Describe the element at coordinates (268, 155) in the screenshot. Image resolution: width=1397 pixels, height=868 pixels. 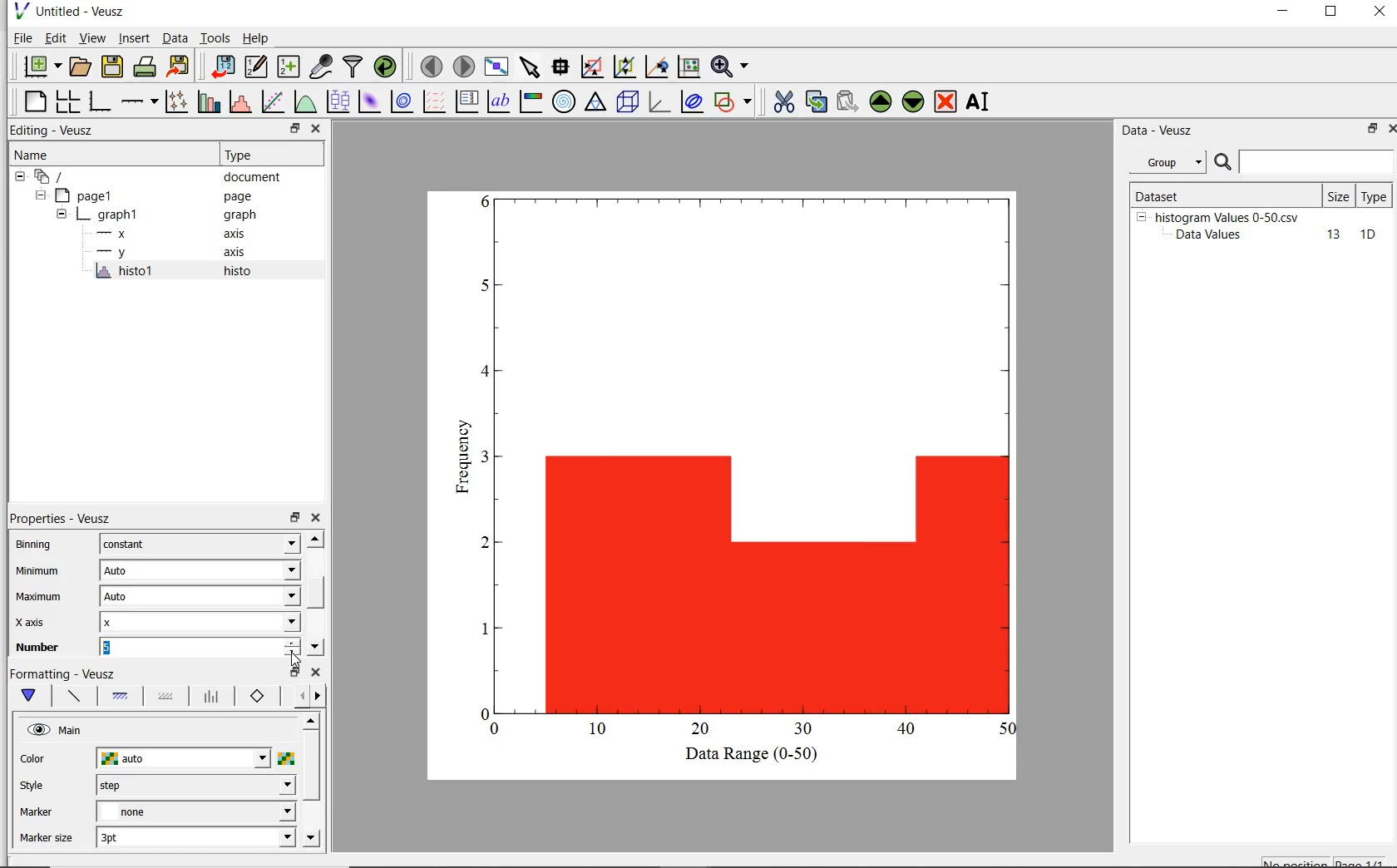
I see `Type` at that location.